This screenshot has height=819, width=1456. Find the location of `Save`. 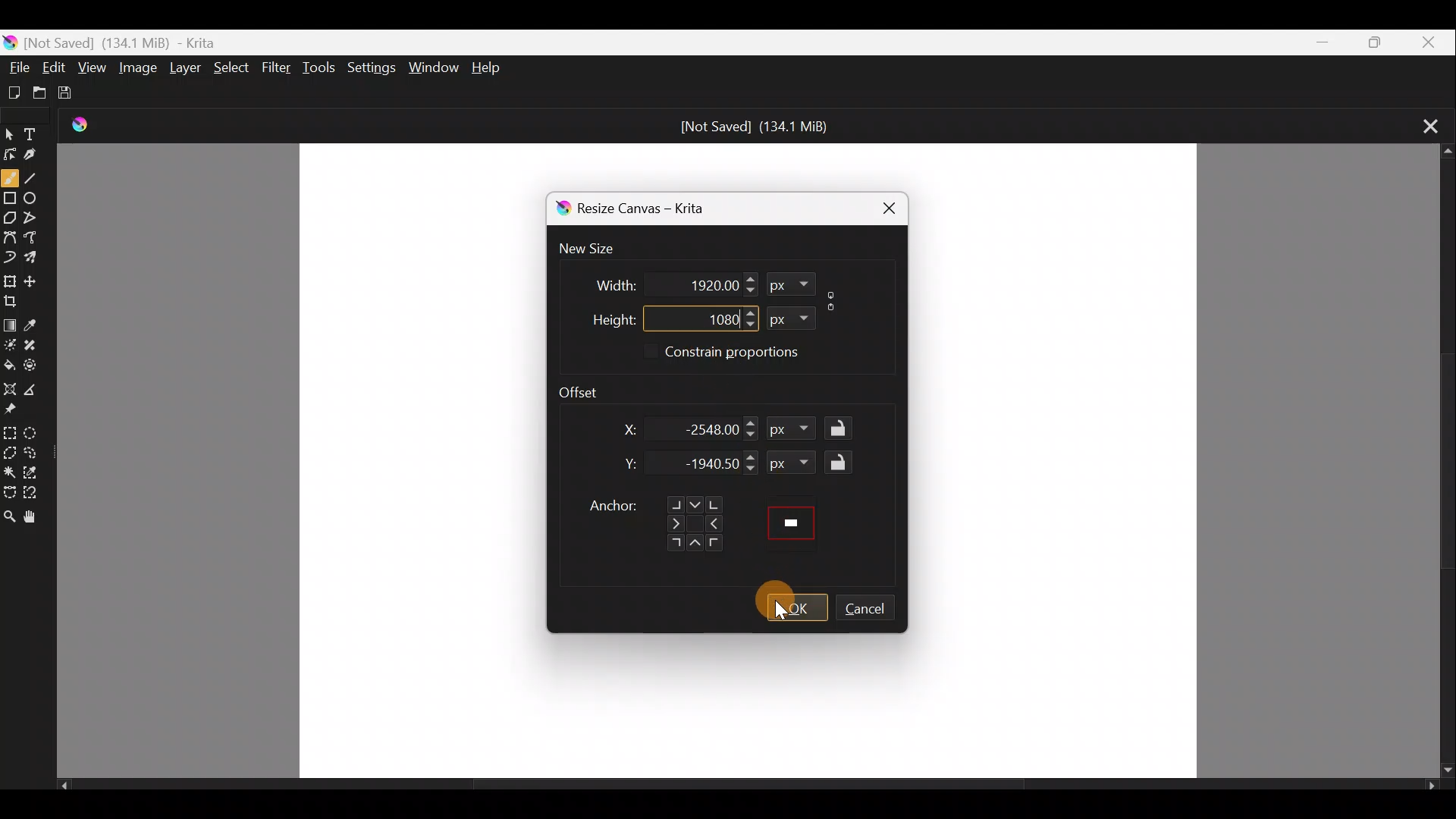

Save is located at coordinates (79, 96).